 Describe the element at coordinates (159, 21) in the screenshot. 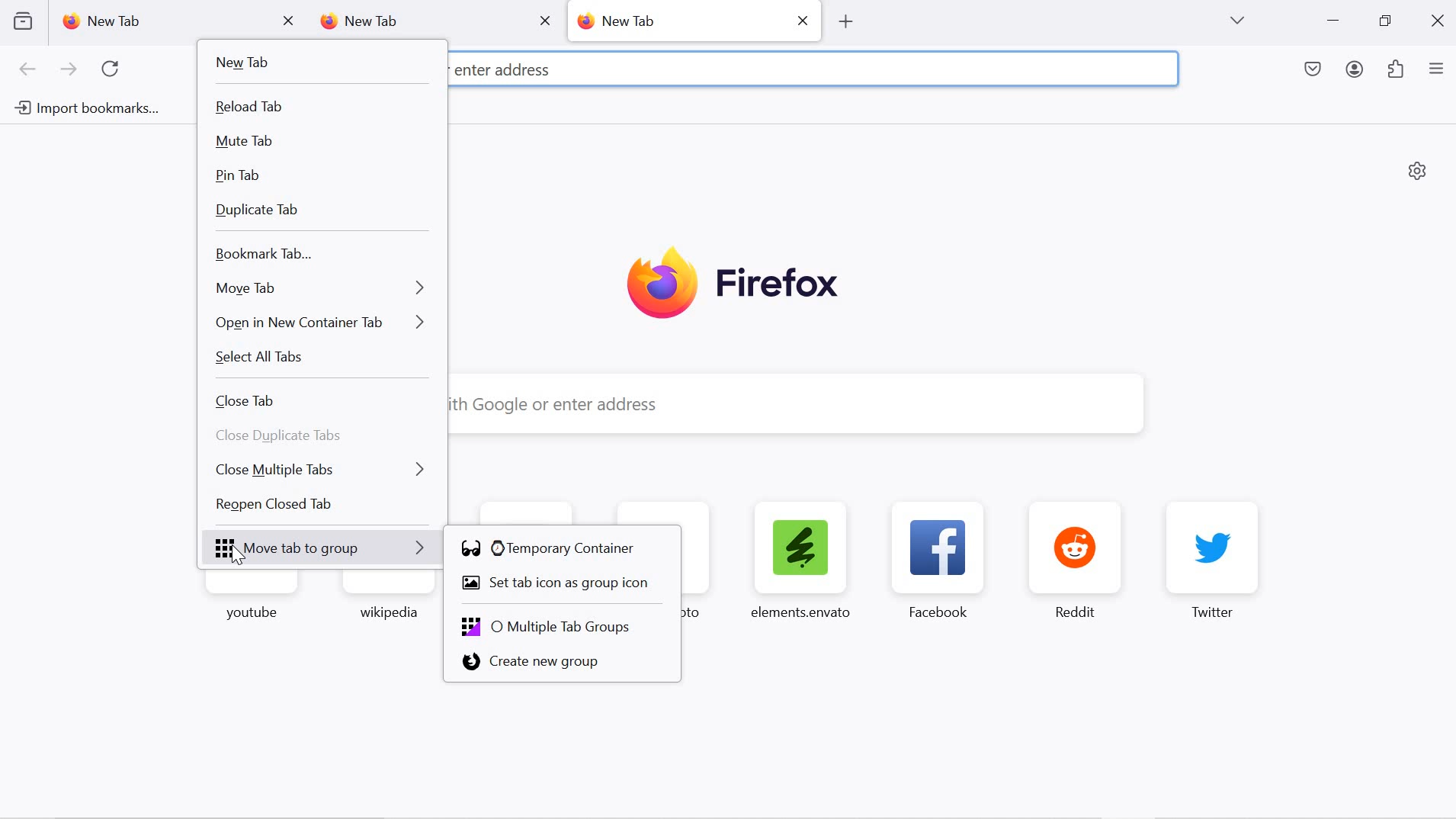

I see `new tab` at that location.